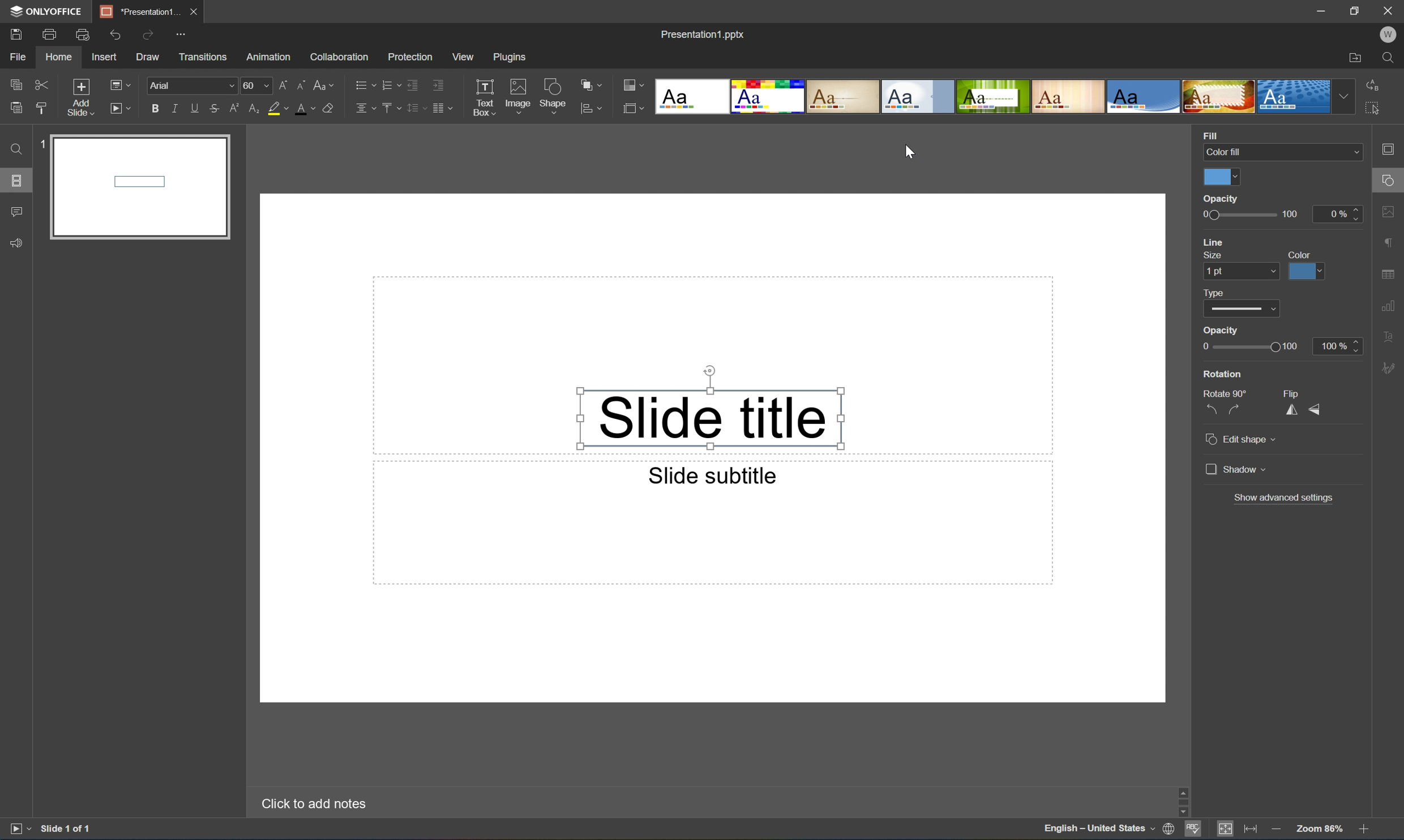 The image size is (1404, 840). Describe the element at coordinates (233, 108) in the screenshot. I see `Superscript` at that location.